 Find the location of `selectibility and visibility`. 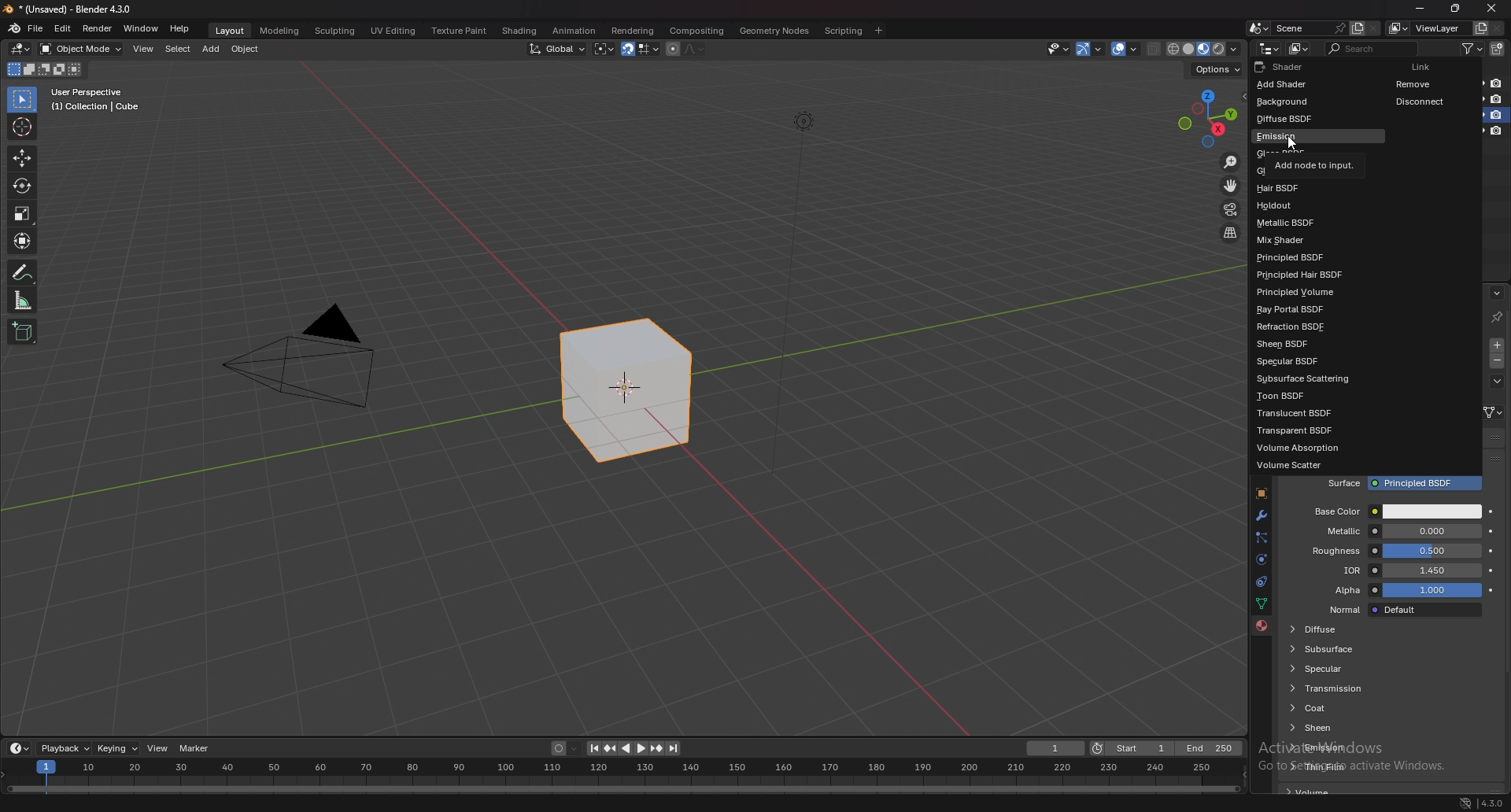

selectibility and visibility is located at coordinates (1059, 49).